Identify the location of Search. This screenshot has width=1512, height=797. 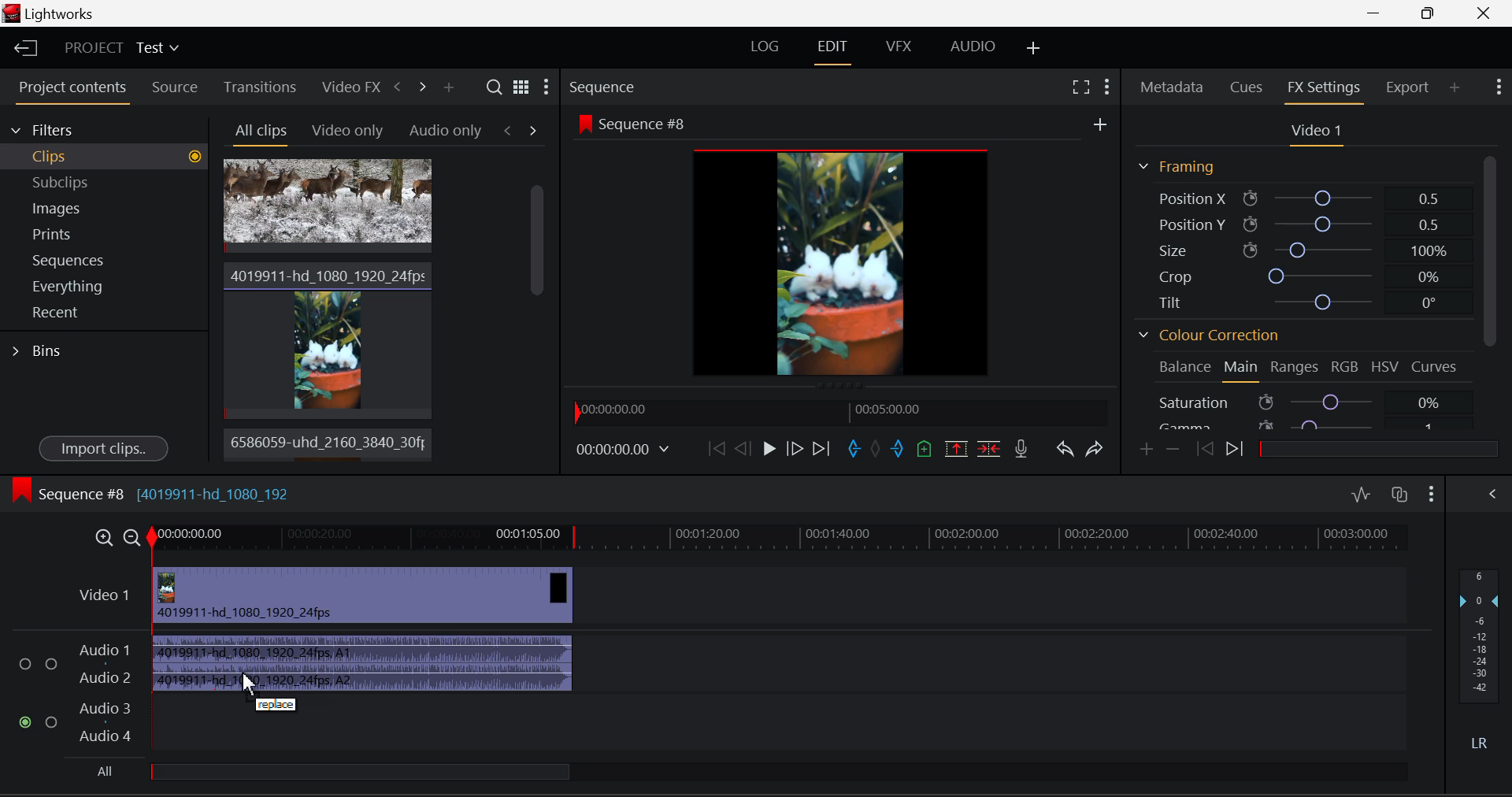
(493, 87).